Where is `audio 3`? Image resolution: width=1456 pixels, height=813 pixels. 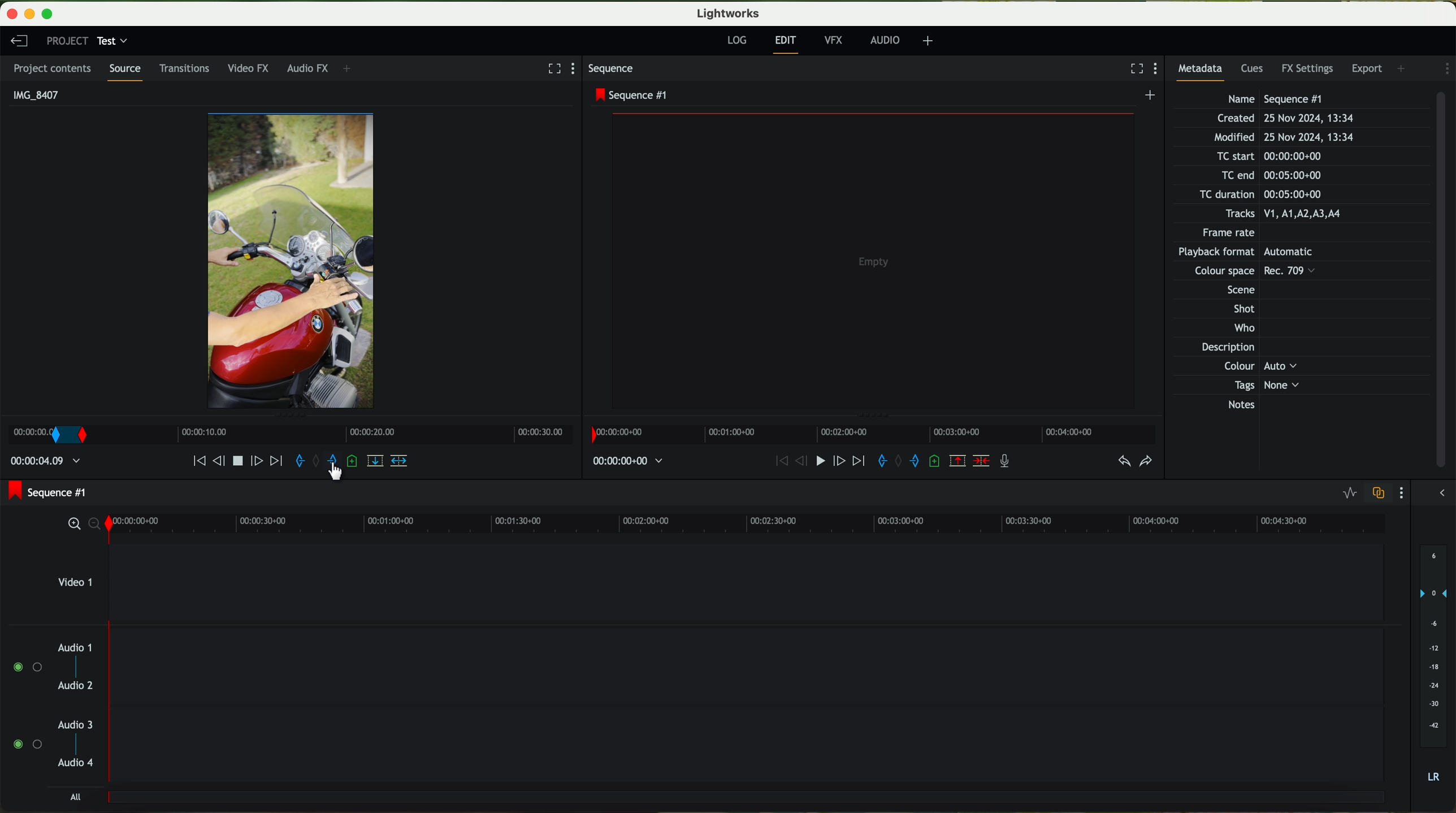 audio 3 is located at coordinates (76, 724).